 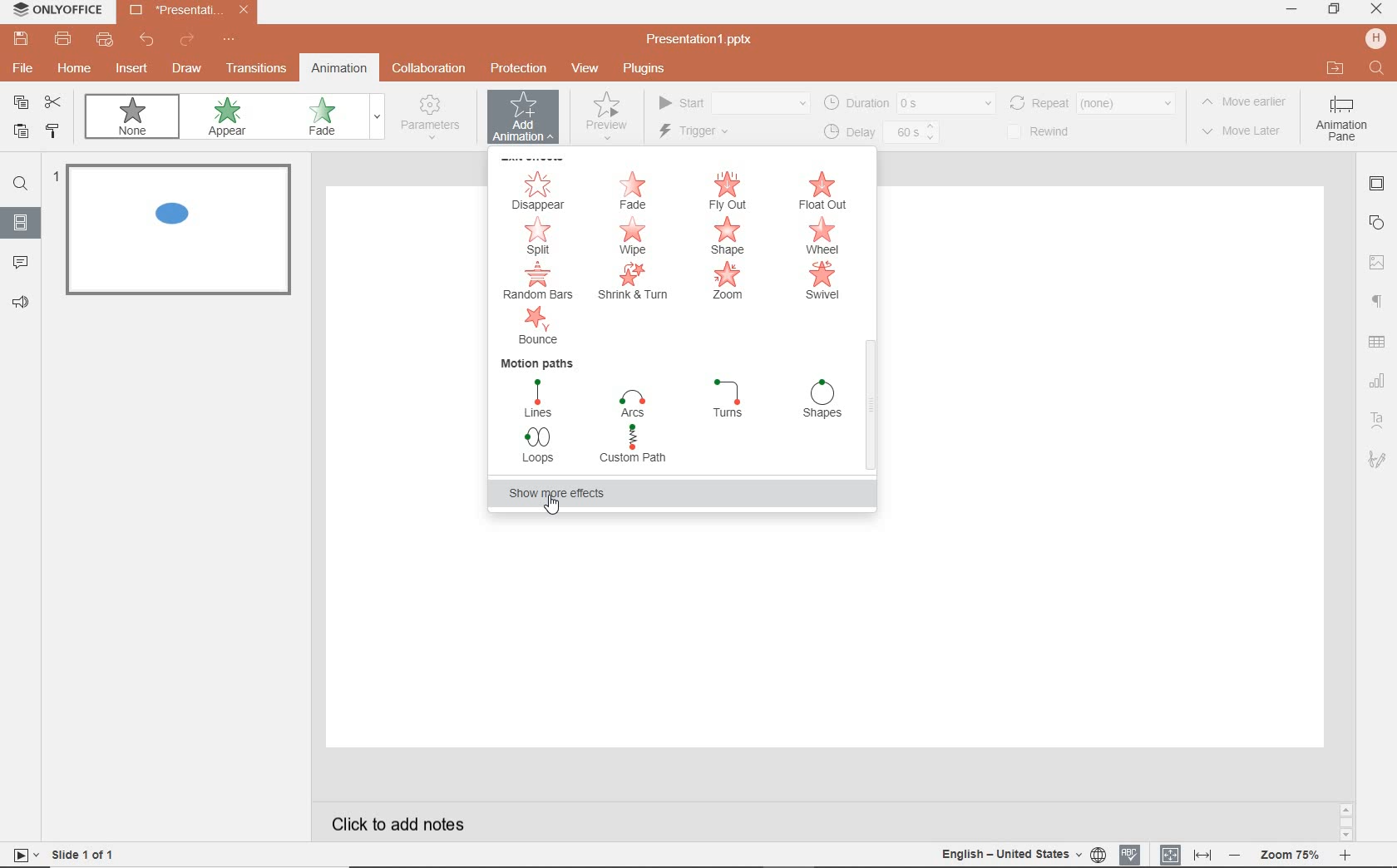 I want to click on RESTORE, so click(x=1334, y=10).